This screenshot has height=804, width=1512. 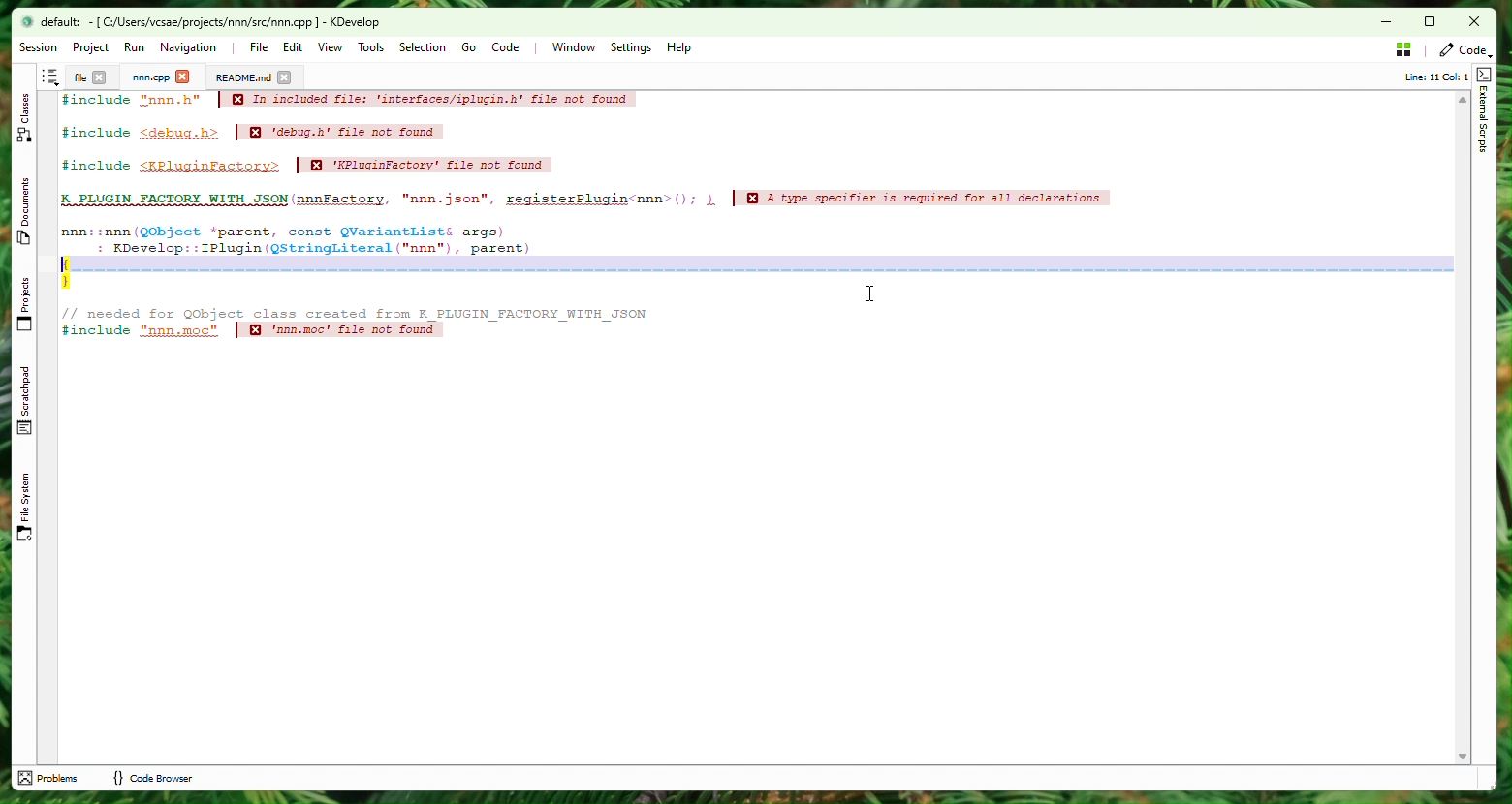 What do you see at coordinates (210, 22) in the screenshot?
I see `file name and application name` at bounding box center [210, 22].